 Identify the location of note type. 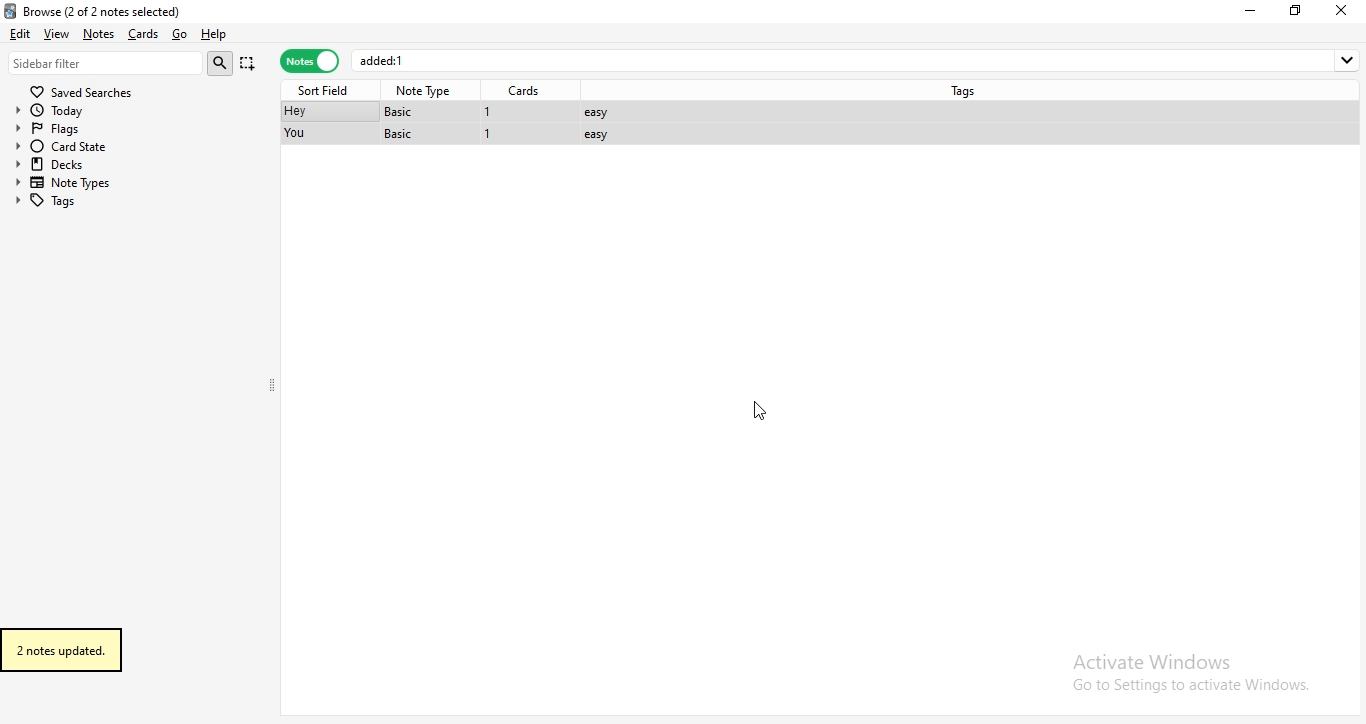
(426, 91).